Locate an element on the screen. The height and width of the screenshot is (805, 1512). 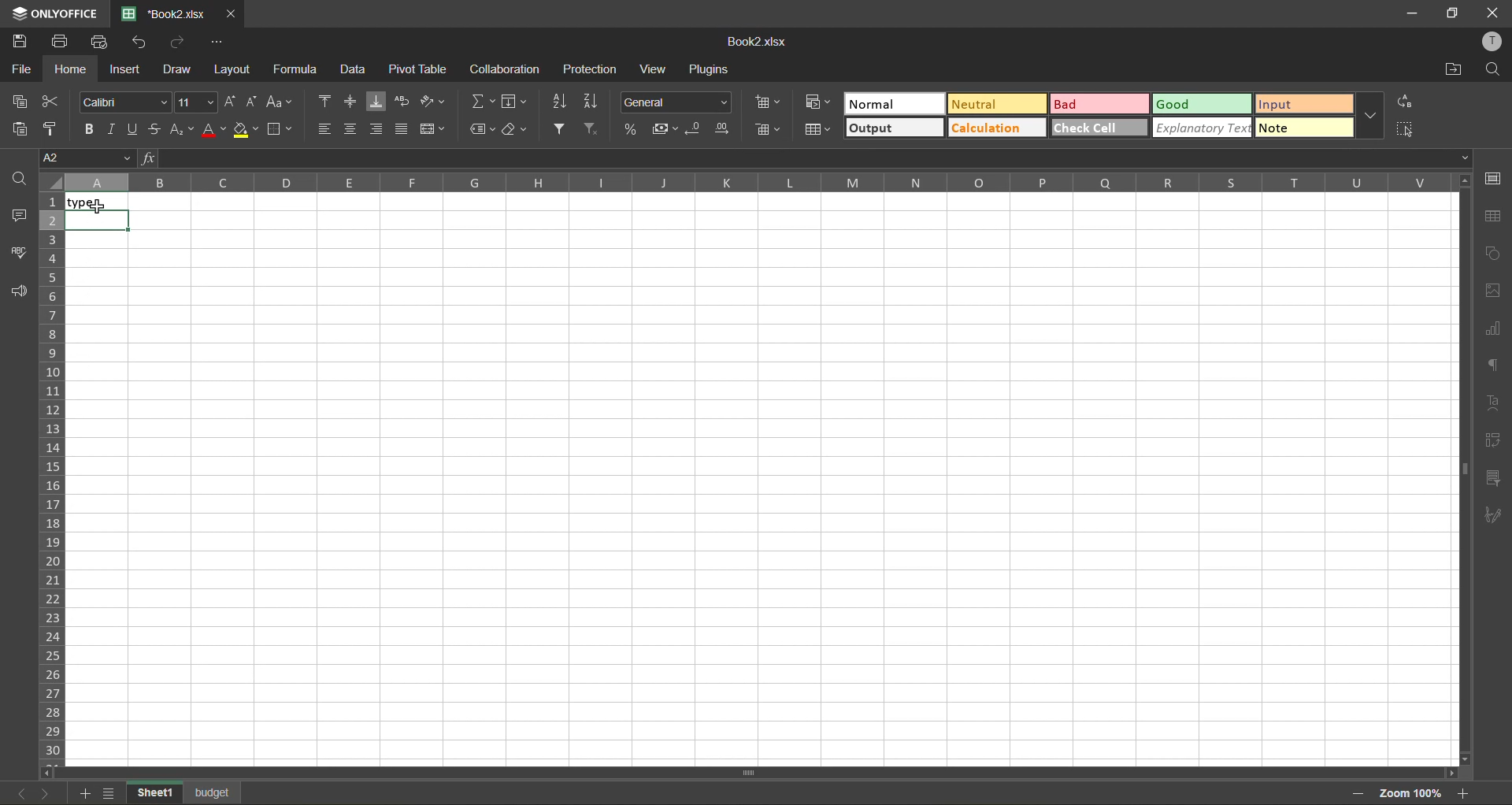
delete cells is located at coordinates (766, 130).